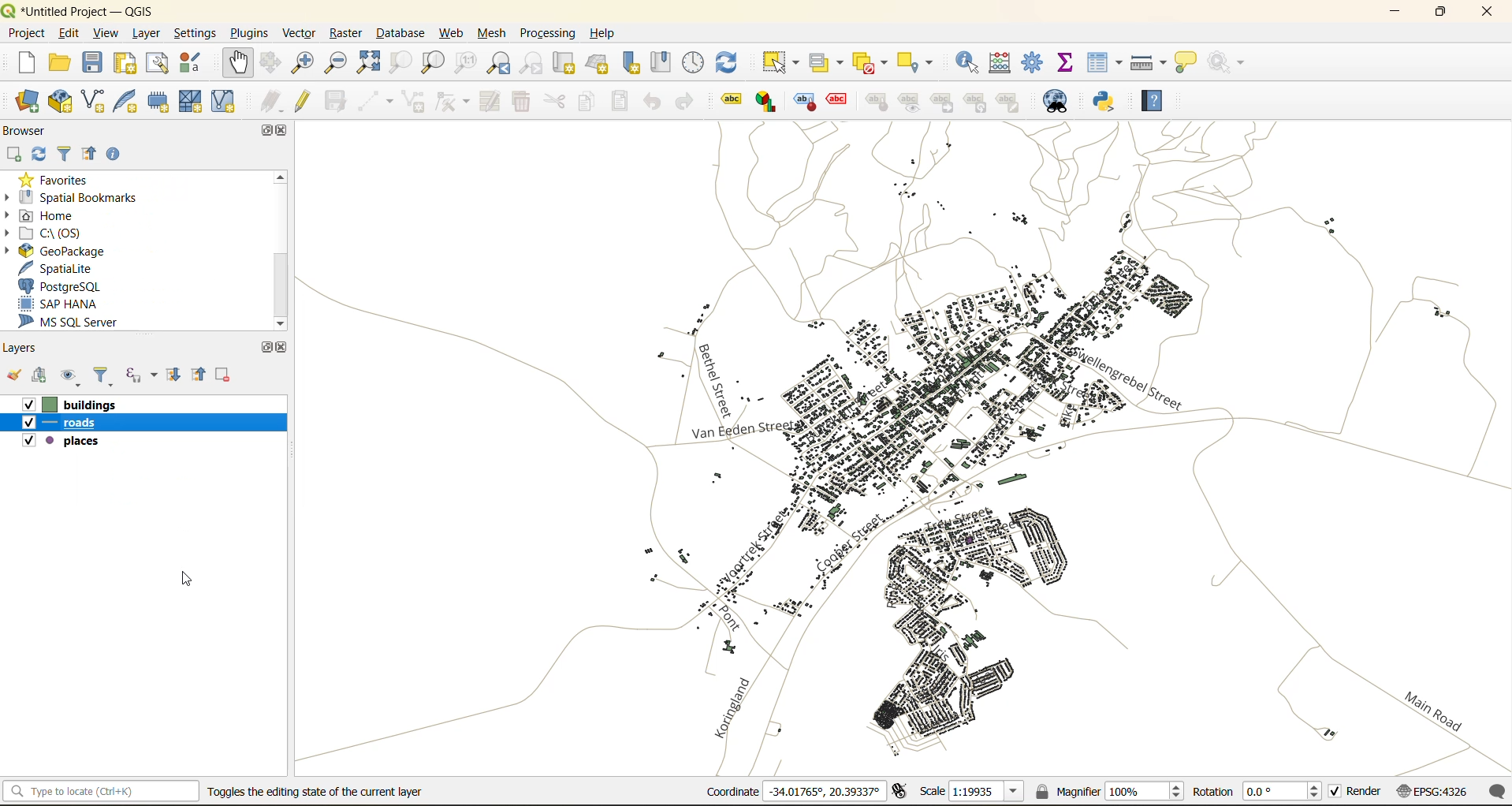 Image resolution: width=1512 pixels, height=806 pixels. I want to click on rotation, so click(1260, 790).